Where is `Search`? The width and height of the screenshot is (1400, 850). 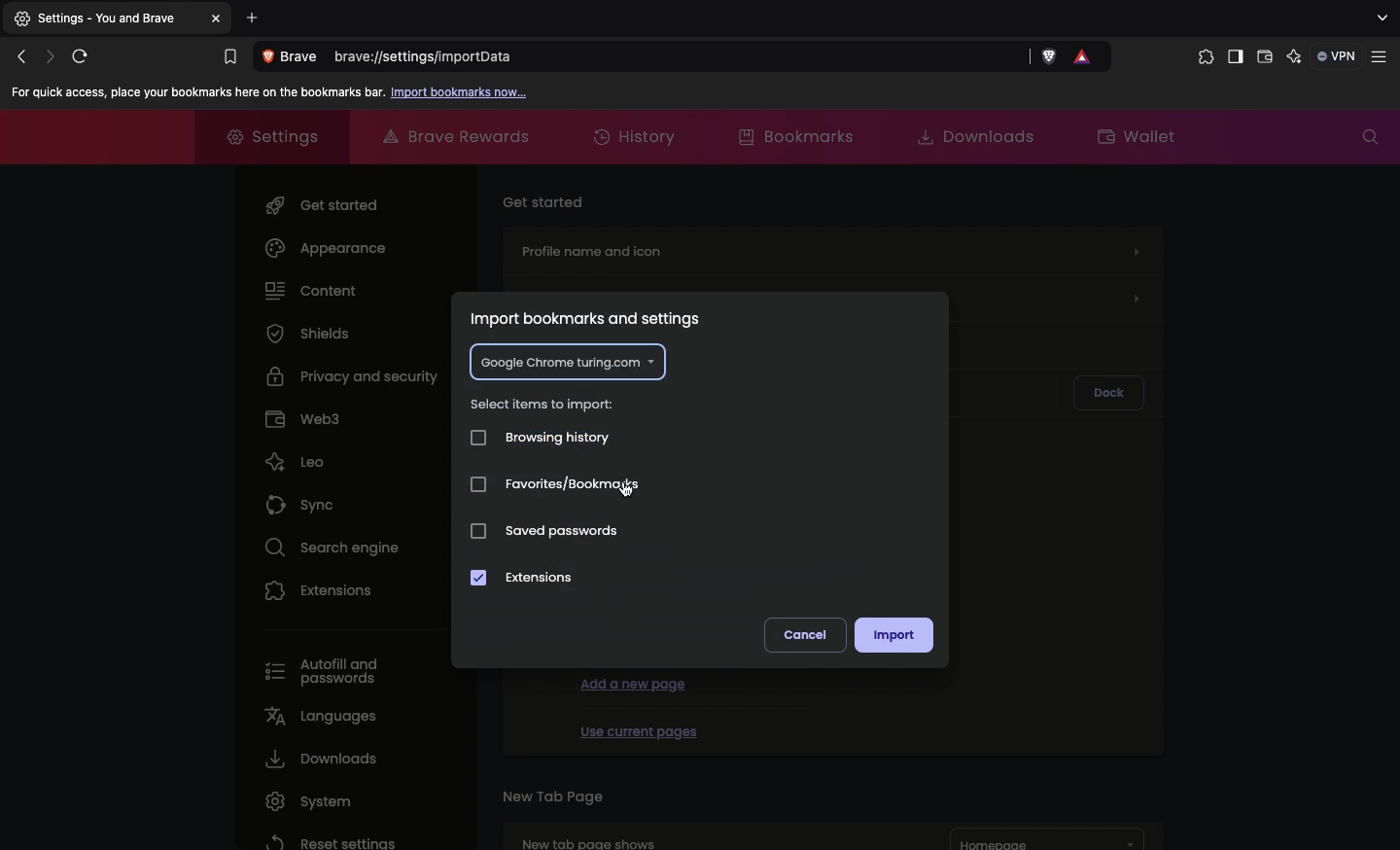 Search is located at coordinates (1370, 137).